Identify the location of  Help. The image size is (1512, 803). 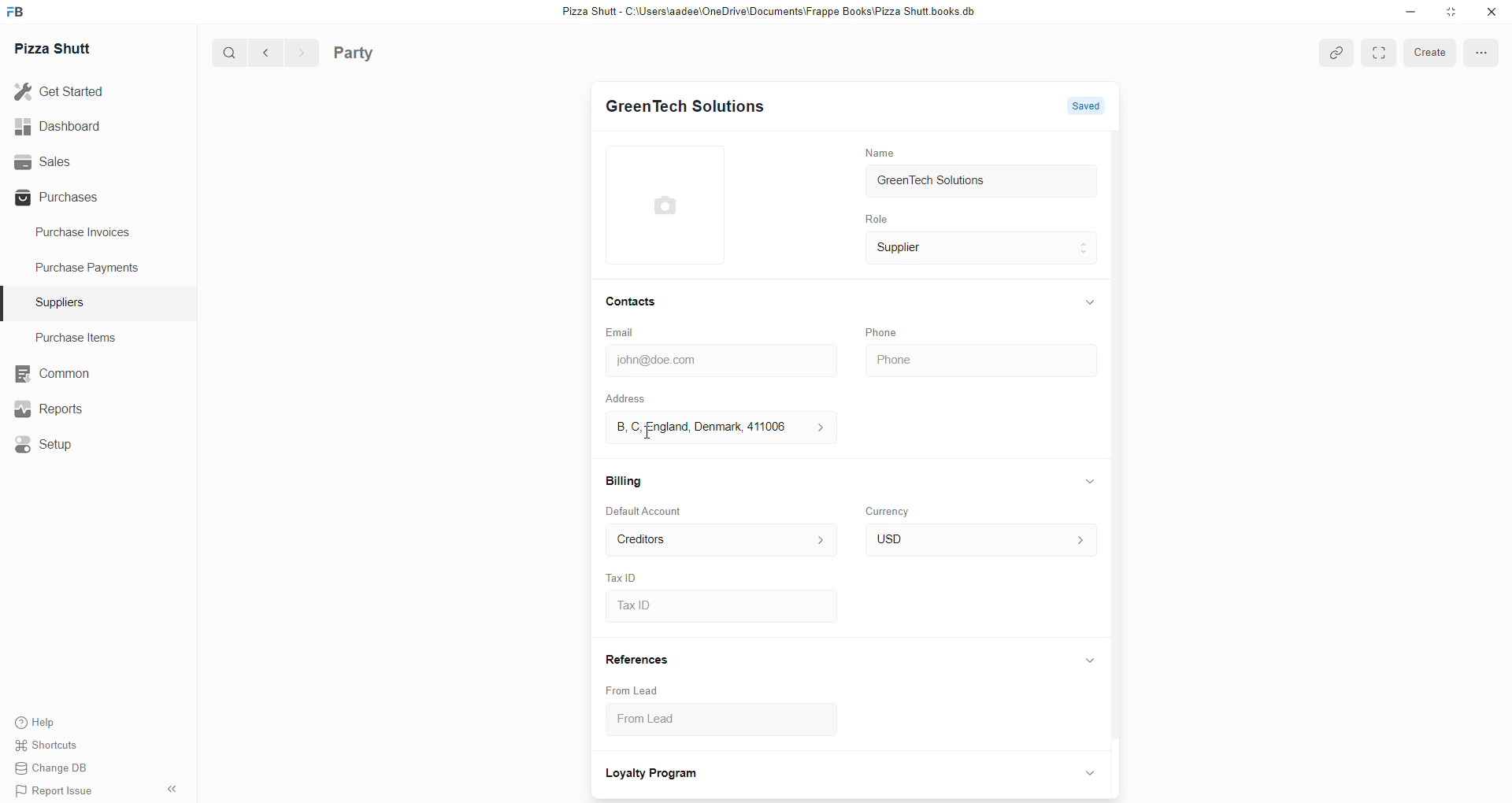
(57, 723).